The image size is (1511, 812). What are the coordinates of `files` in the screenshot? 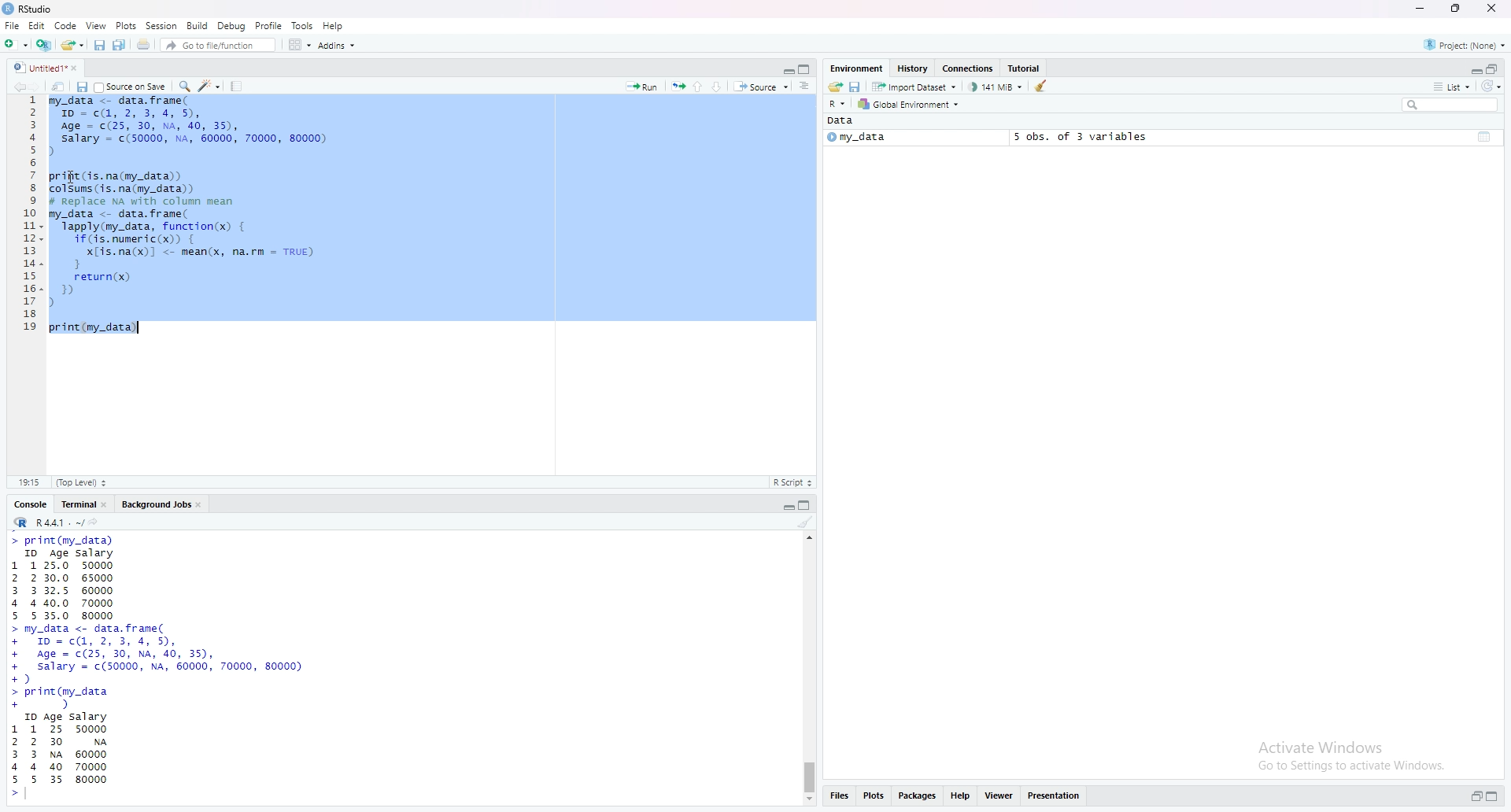 It's located at (838, 796).